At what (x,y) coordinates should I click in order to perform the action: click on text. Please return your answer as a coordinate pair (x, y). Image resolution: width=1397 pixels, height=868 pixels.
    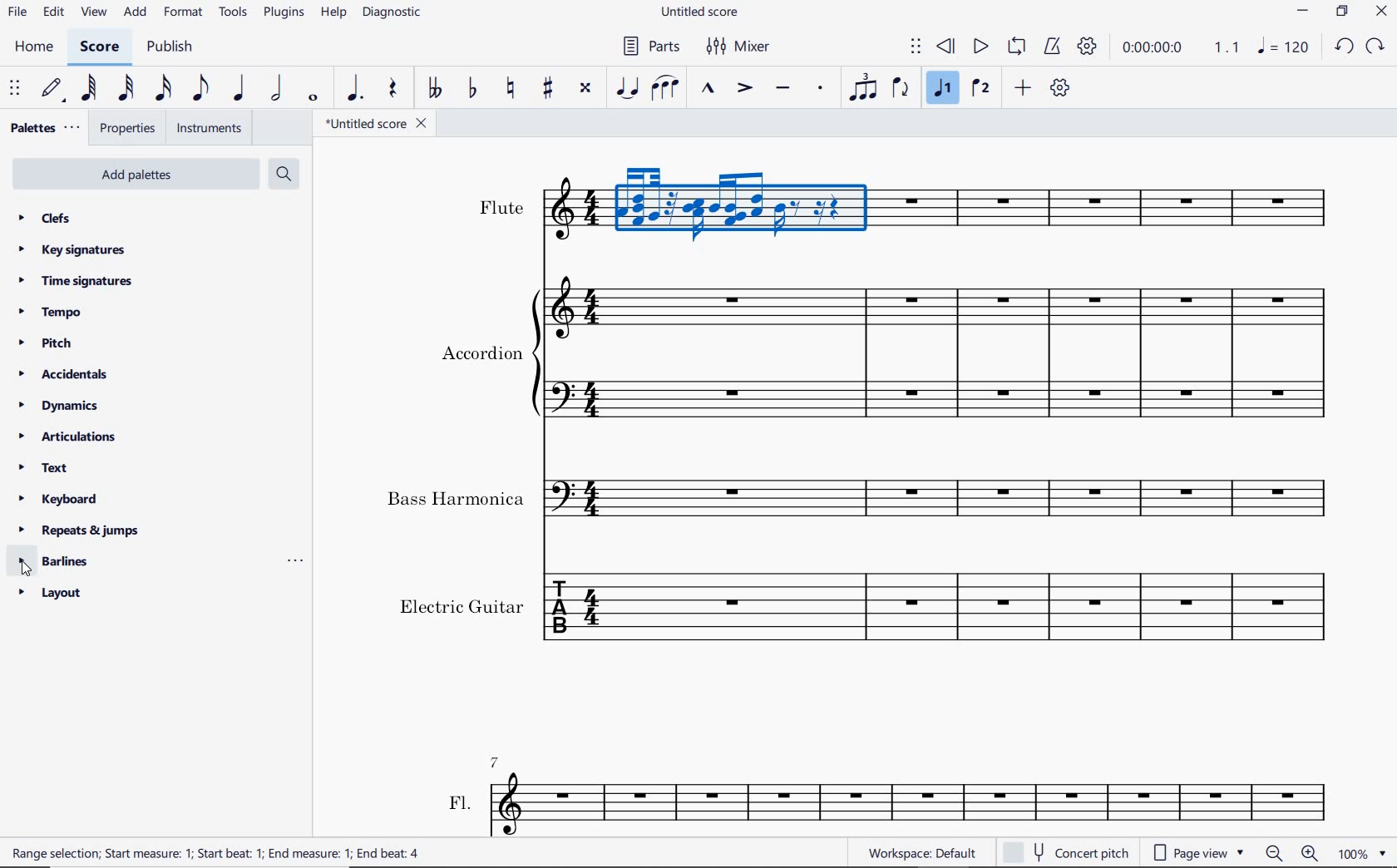
    Looking at the image, I should click on (462, 604).